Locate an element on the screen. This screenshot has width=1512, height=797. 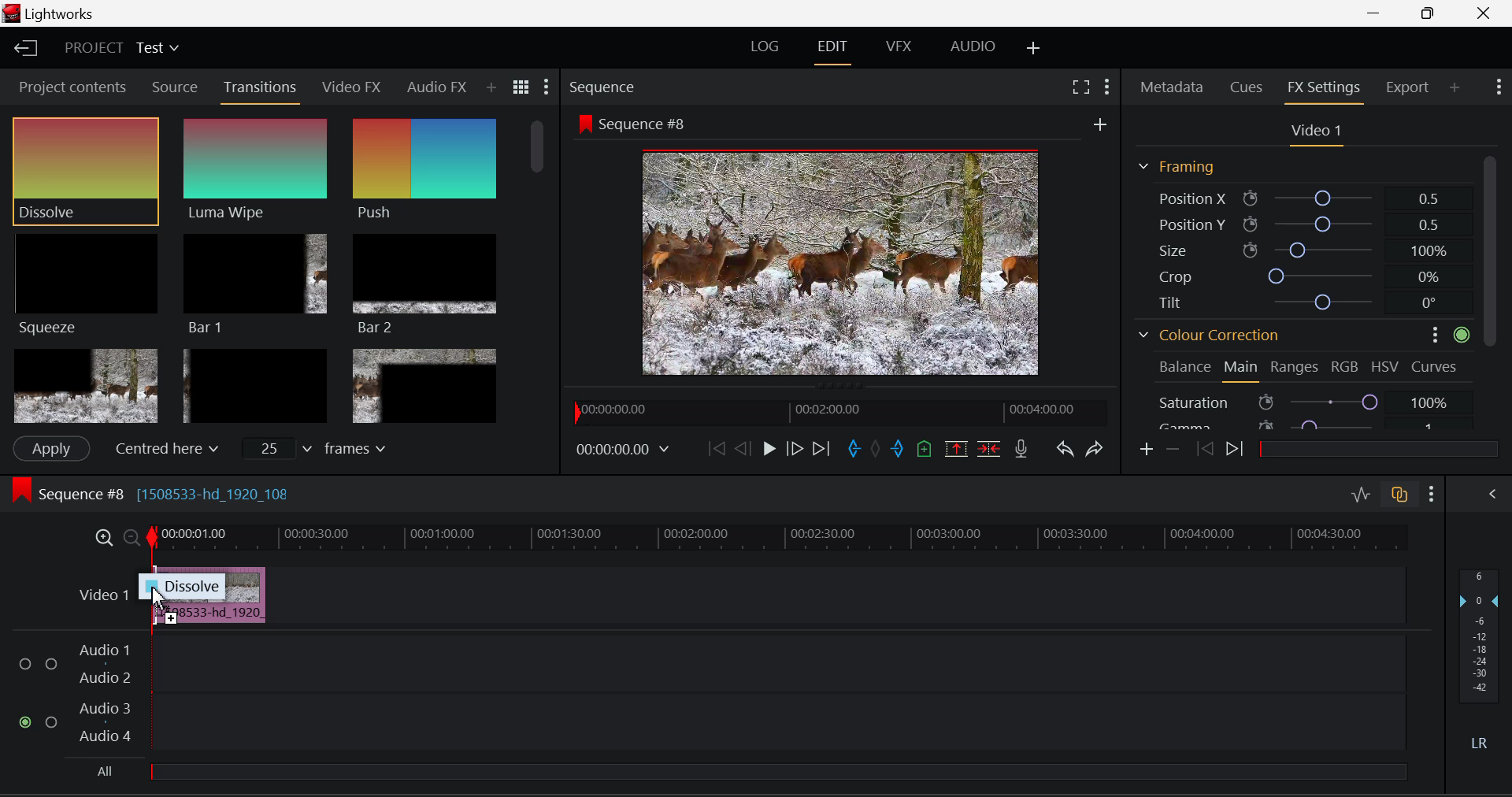
Minimize is located at coordinates (1431, 13).